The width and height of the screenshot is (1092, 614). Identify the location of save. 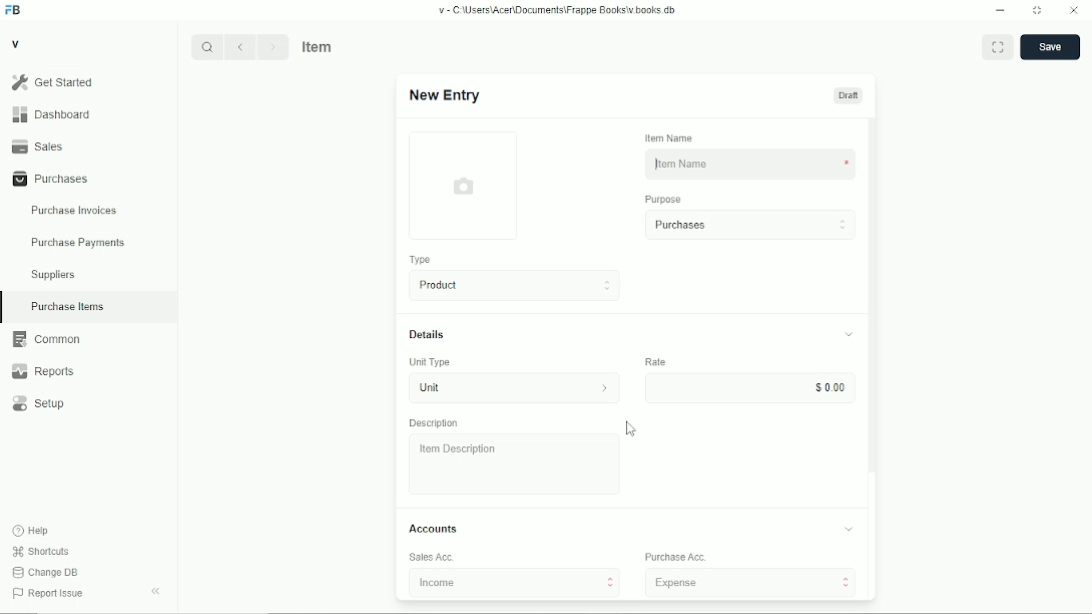
(1051, 47).